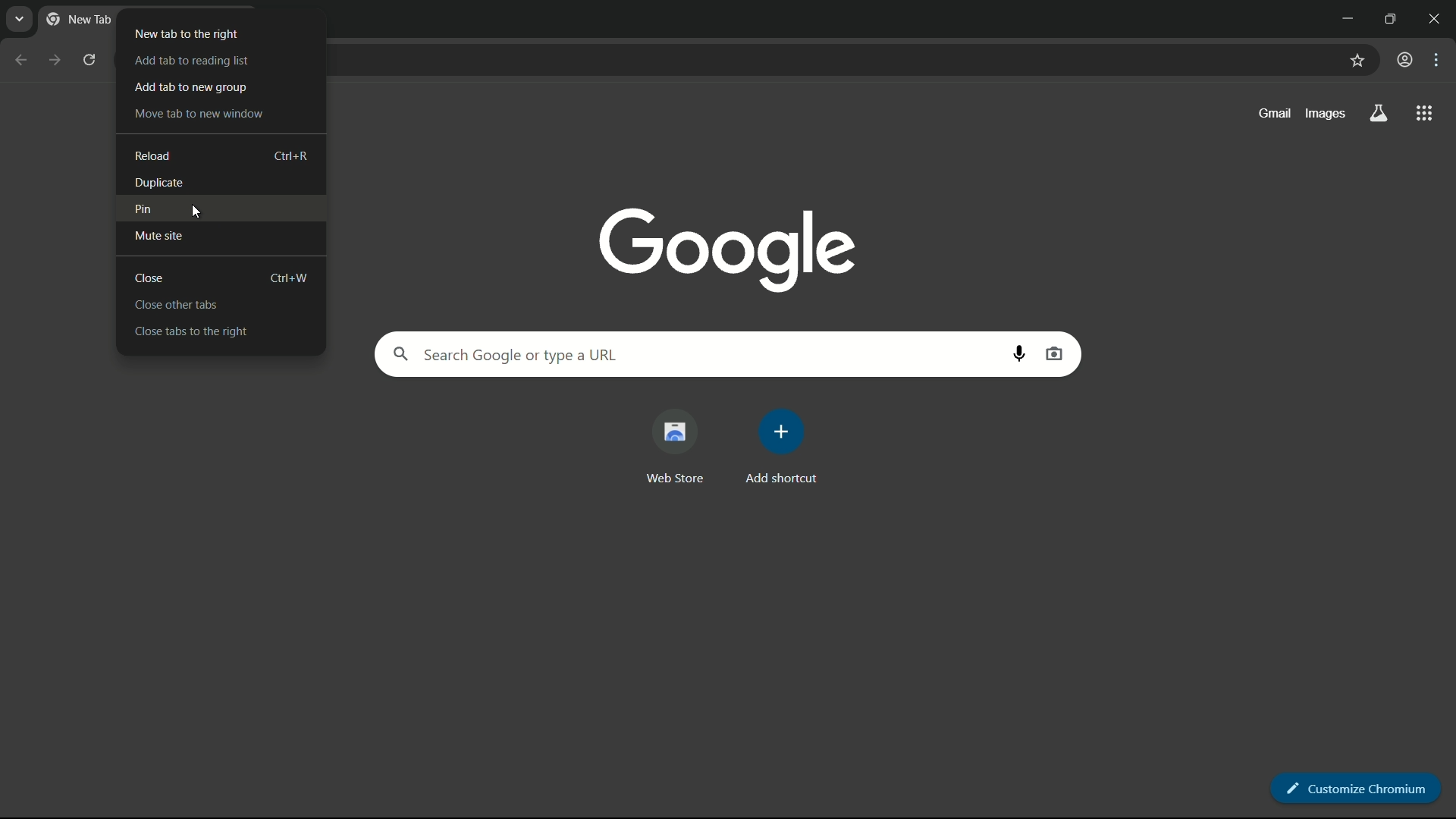 The width and height of the screenshot is (1456, 819). What do you see at coordinates (1392, 17) in the screenshot?
I see `maximize or restore` at bounding box center [1392, 17].